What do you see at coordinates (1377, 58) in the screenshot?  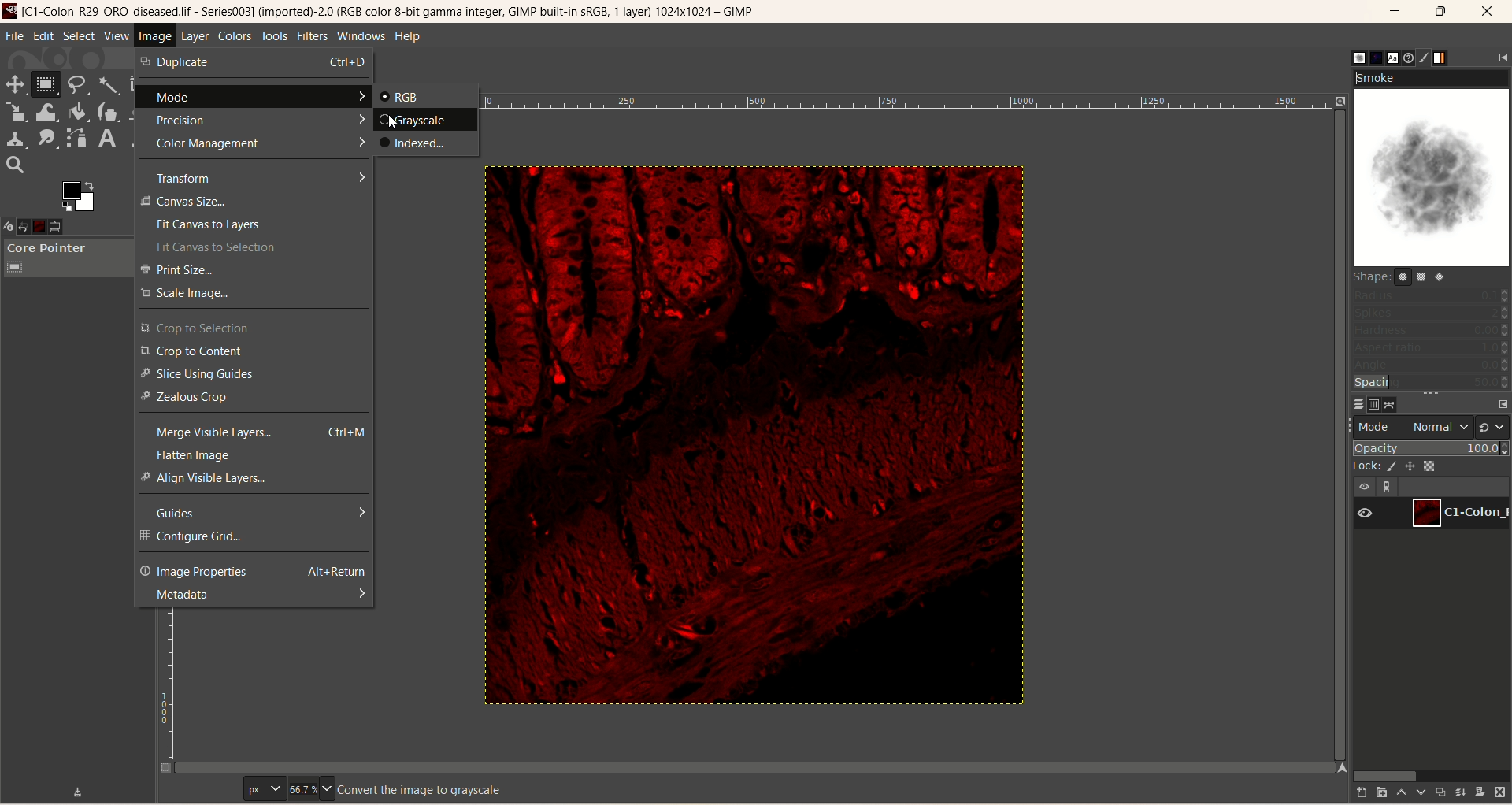 I see `pattern` at bounding box center [1377, 58].